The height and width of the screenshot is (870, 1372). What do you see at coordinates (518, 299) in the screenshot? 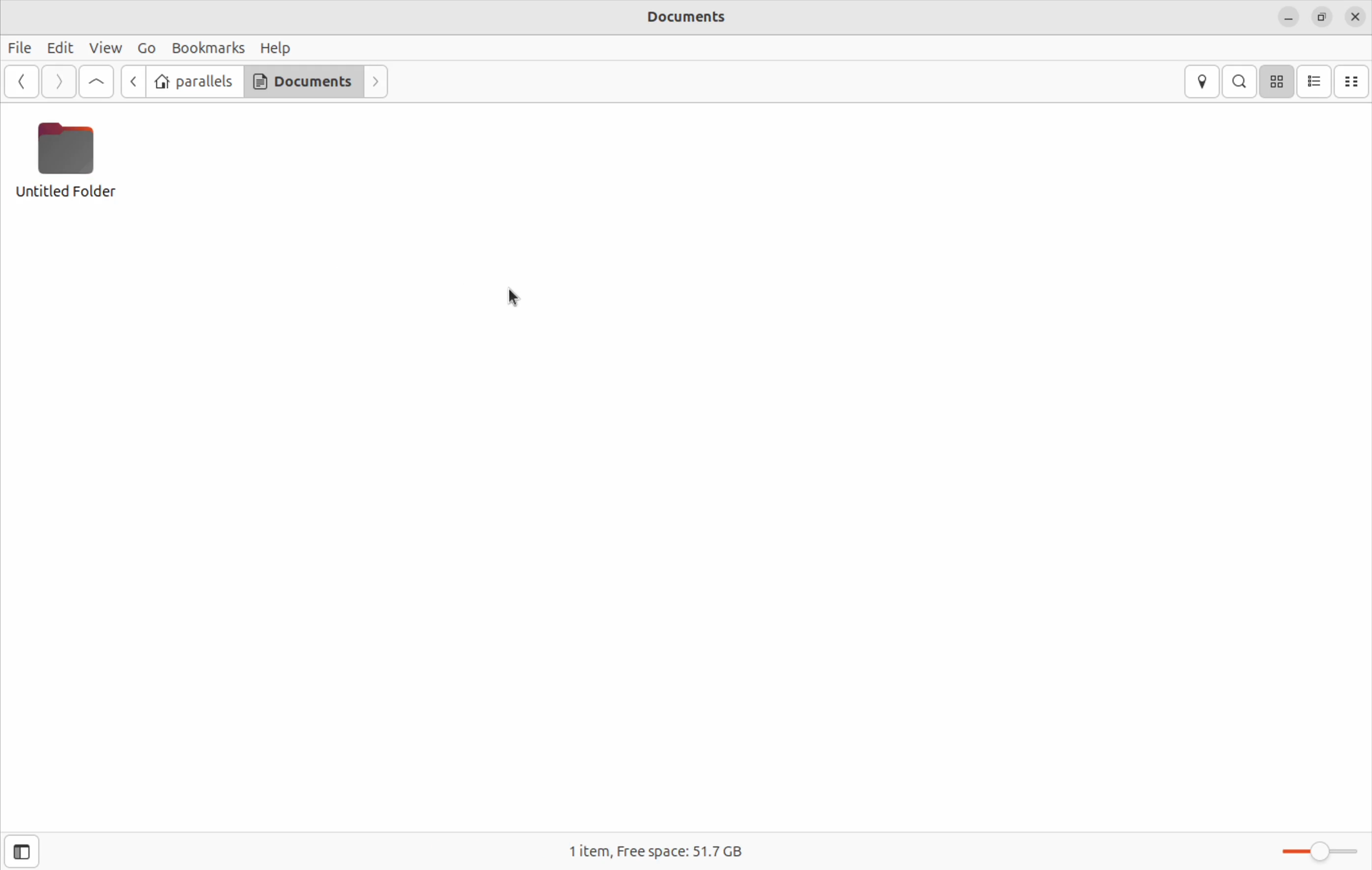
I see `Cursor` at bounding box center [518, 299].